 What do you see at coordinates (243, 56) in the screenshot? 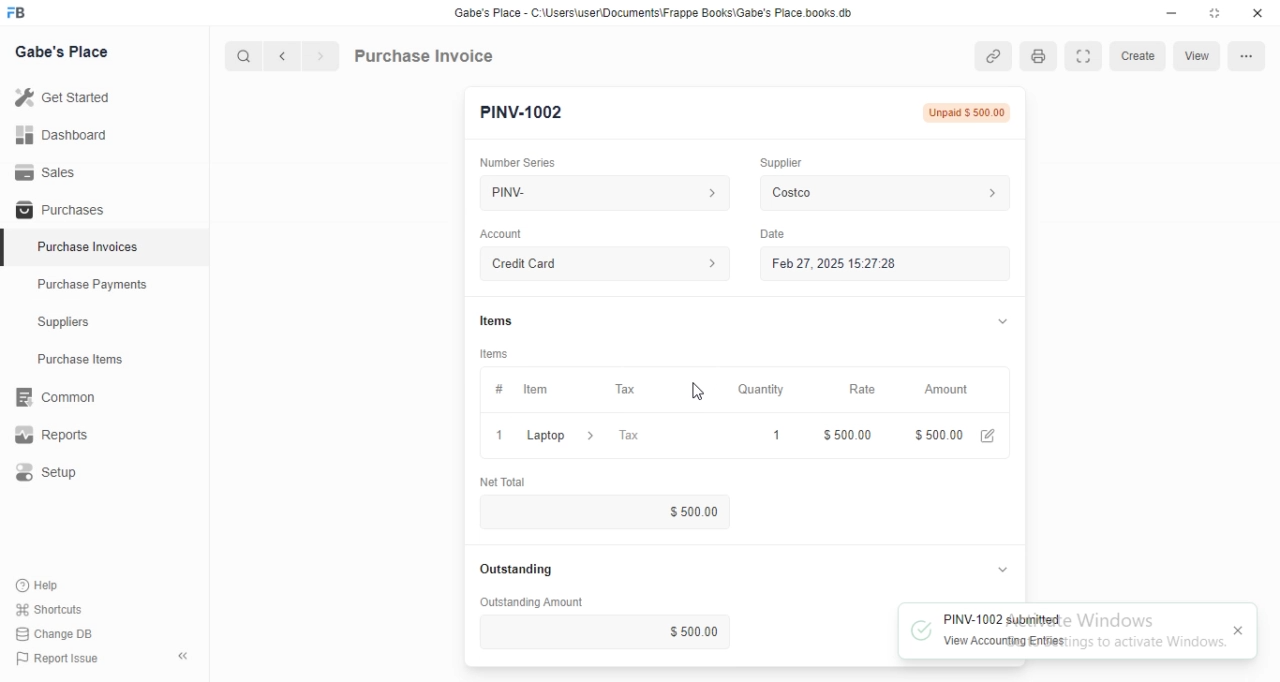
I see `Search` at bounding box center [243, 56].